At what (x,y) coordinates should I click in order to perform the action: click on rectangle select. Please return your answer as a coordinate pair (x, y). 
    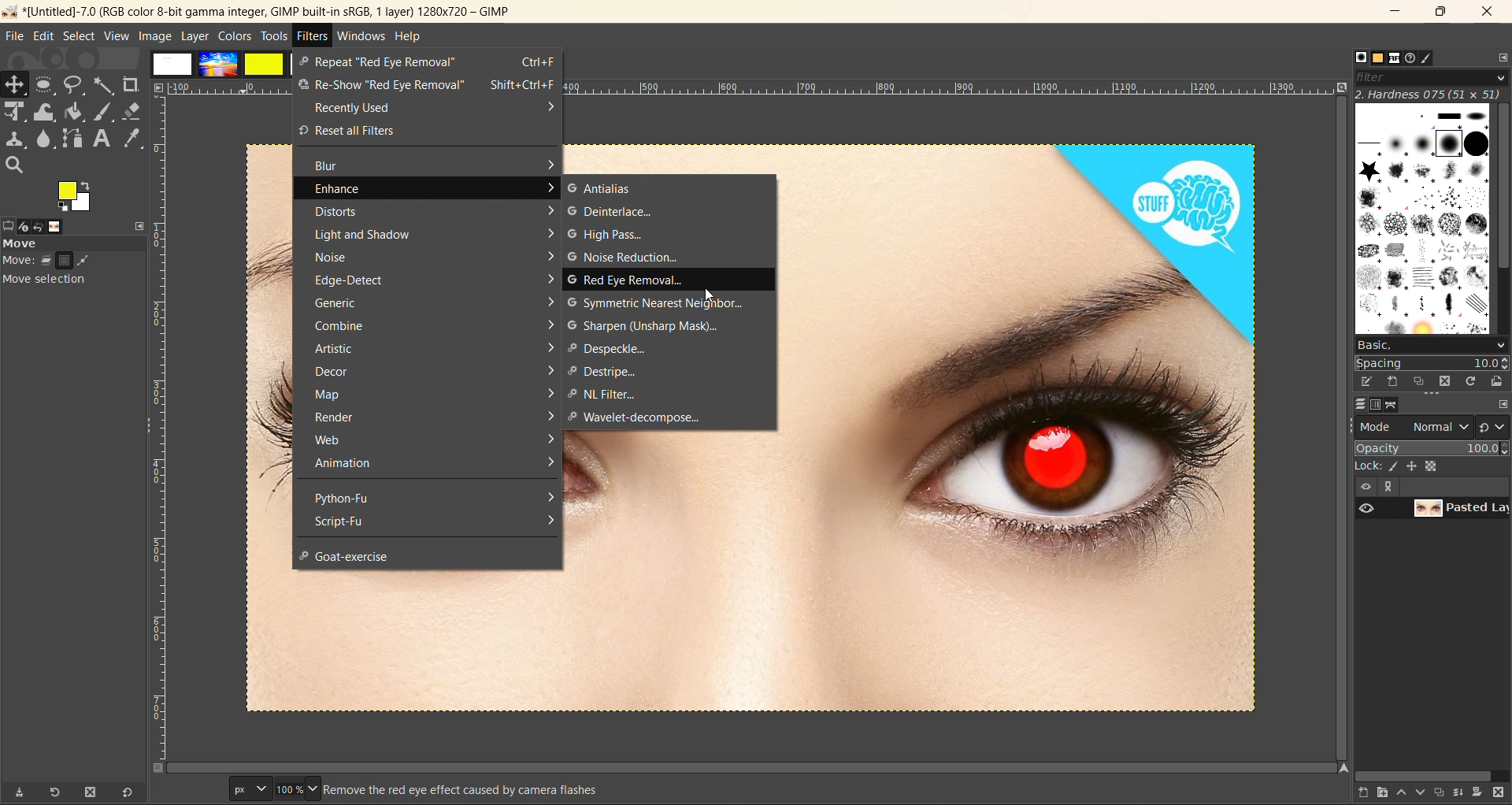
    Looking at the image, I should click on (47, 85).